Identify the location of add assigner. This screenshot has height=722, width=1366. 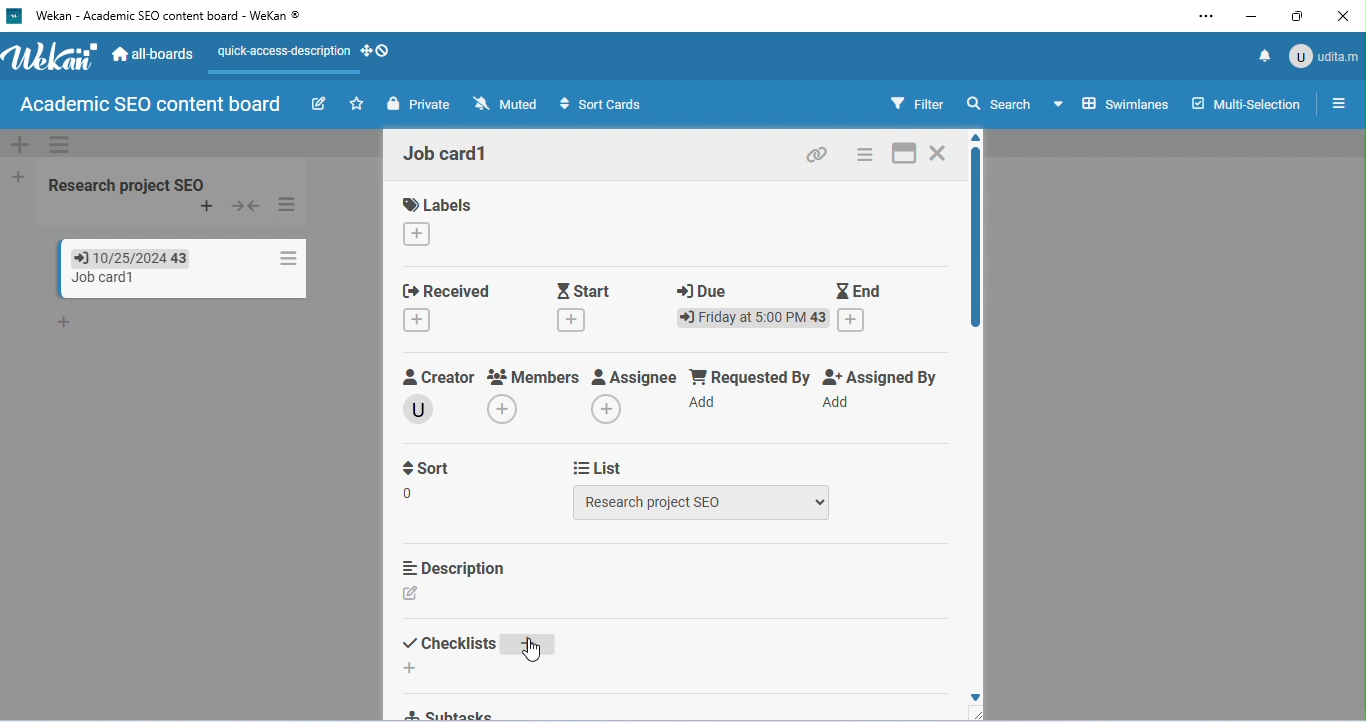
(838, 404).